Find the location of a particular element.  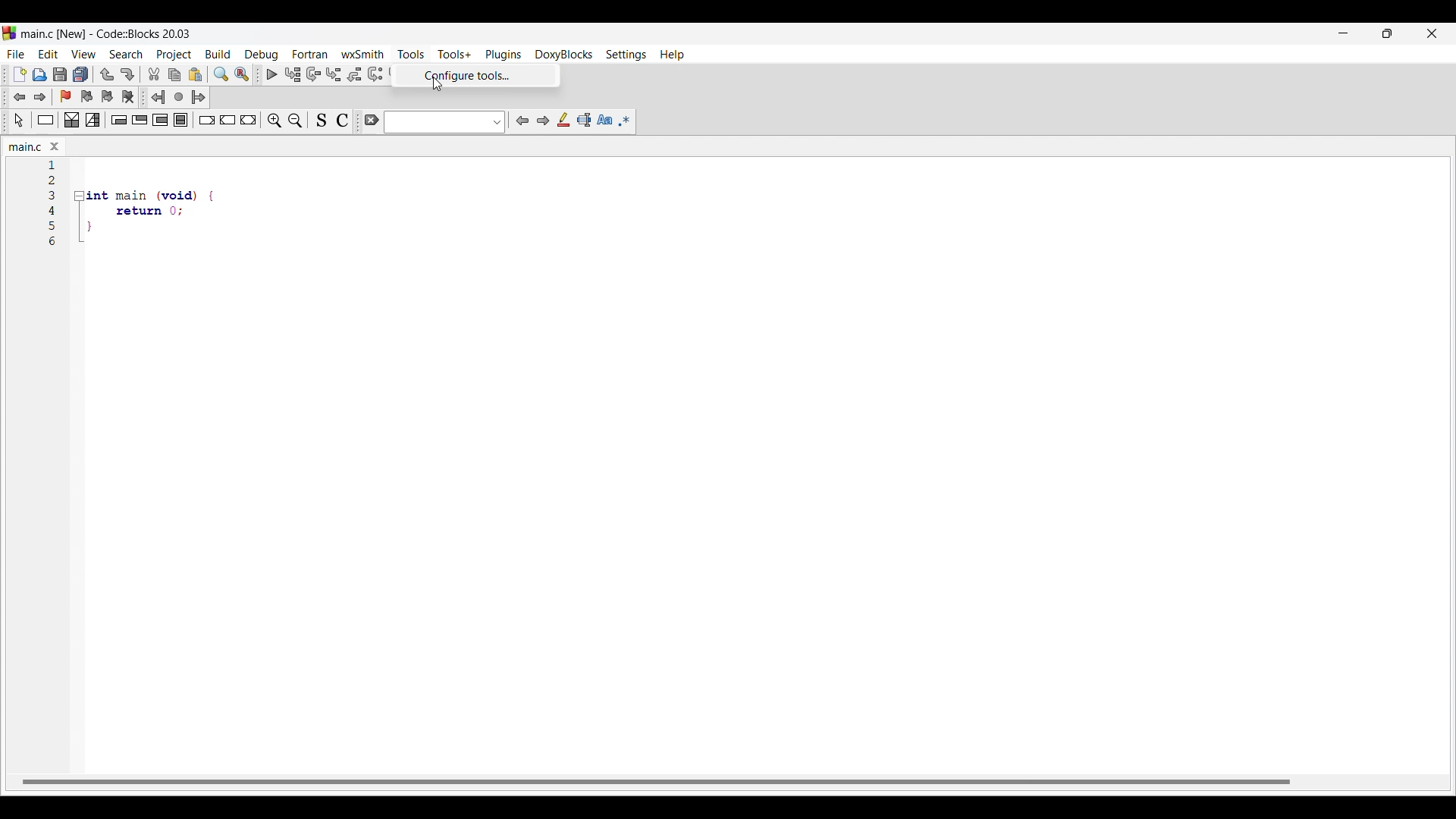

Next line is located at coordinates (314, 74).